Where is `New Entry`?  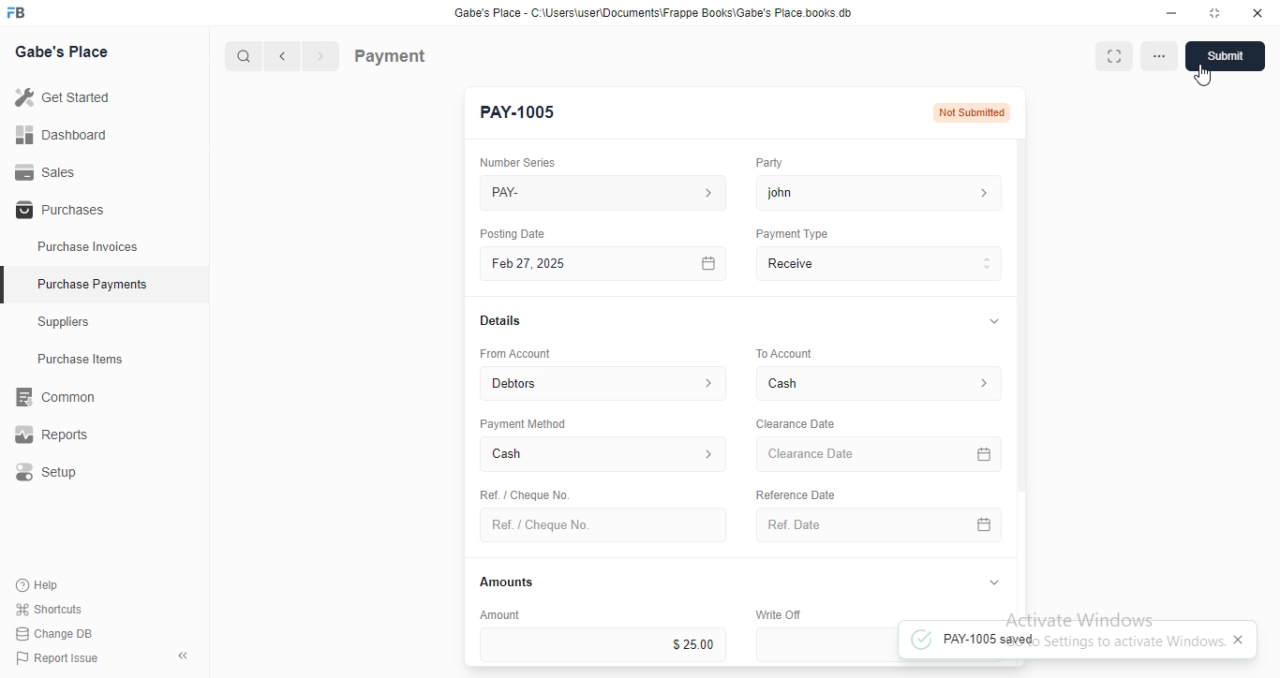
New Entry is located at coordinates (522, 113).